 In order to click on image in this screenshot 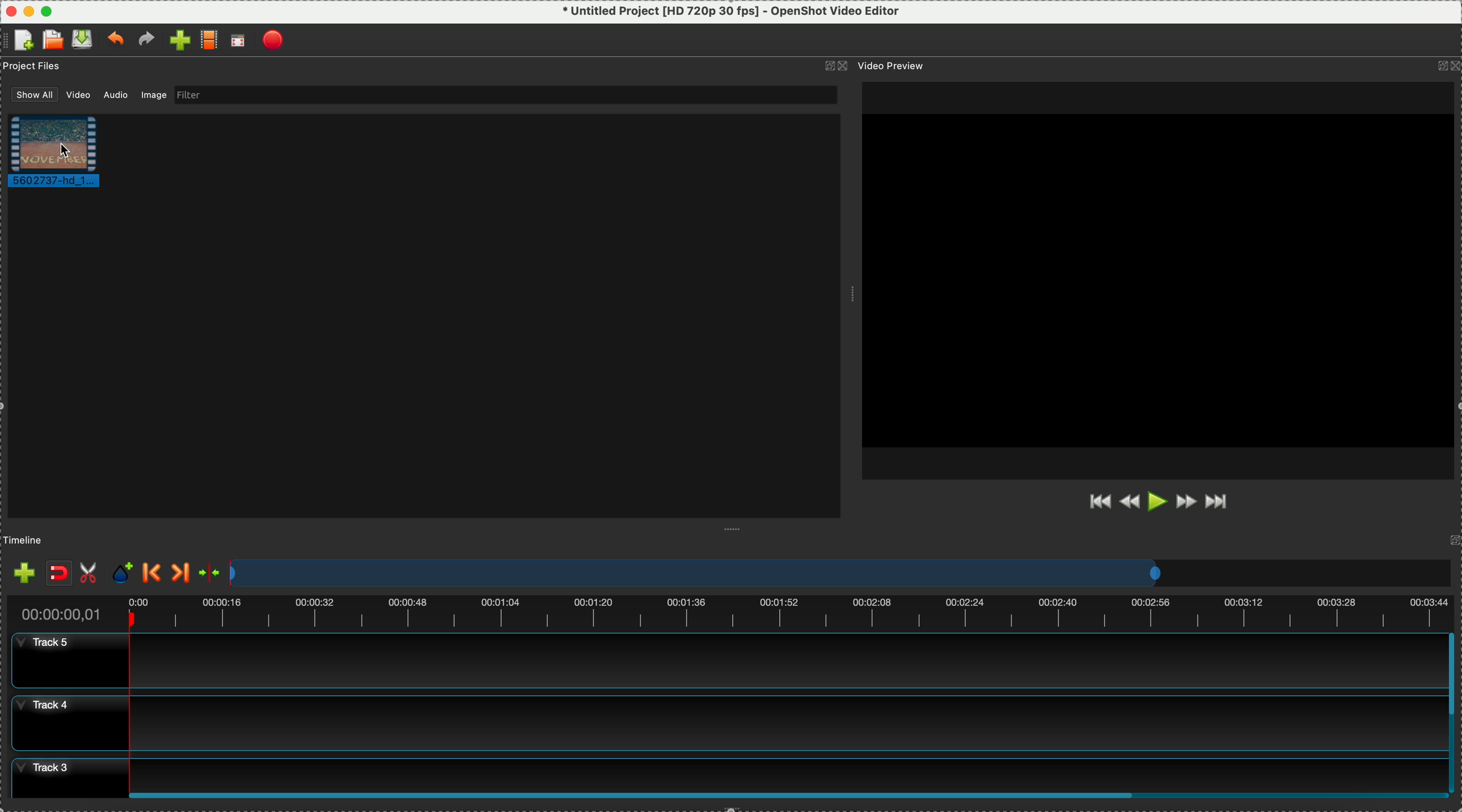, I will do `click(156, 96)`.